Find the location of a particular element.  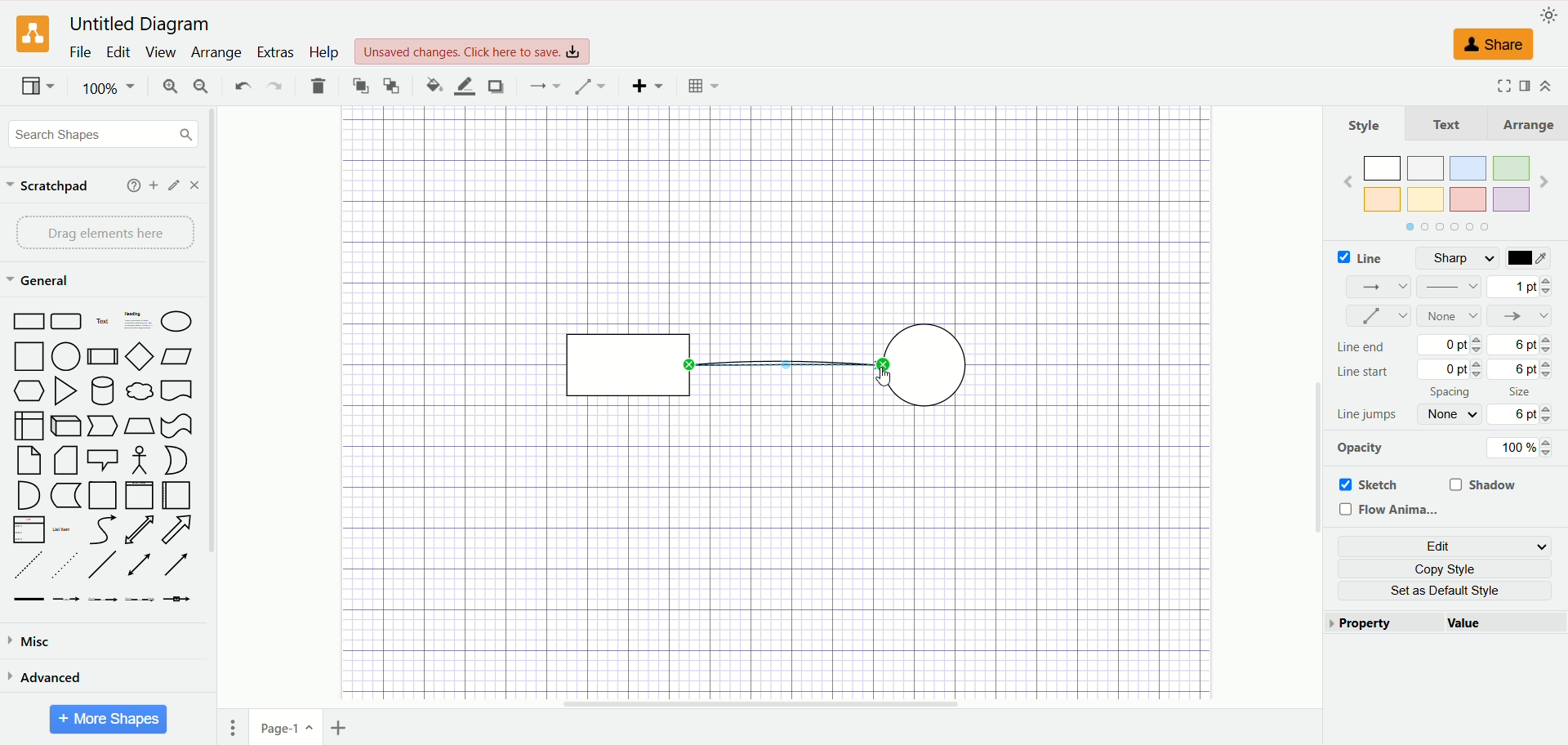

Triangle is located at coordinates (68, 391).